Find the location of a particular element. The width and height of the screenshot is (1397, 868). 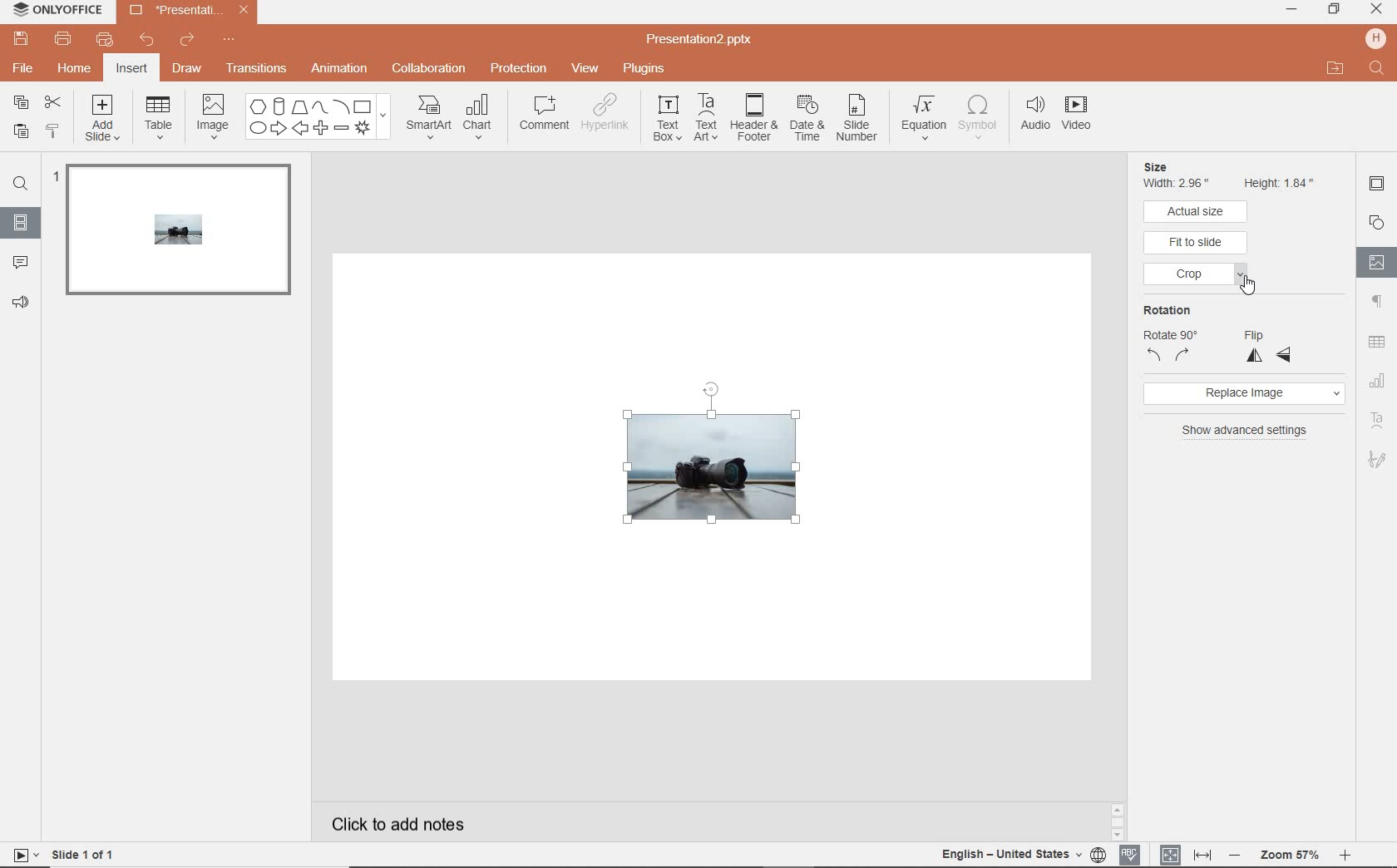

print is located at coordinates (64, 39).